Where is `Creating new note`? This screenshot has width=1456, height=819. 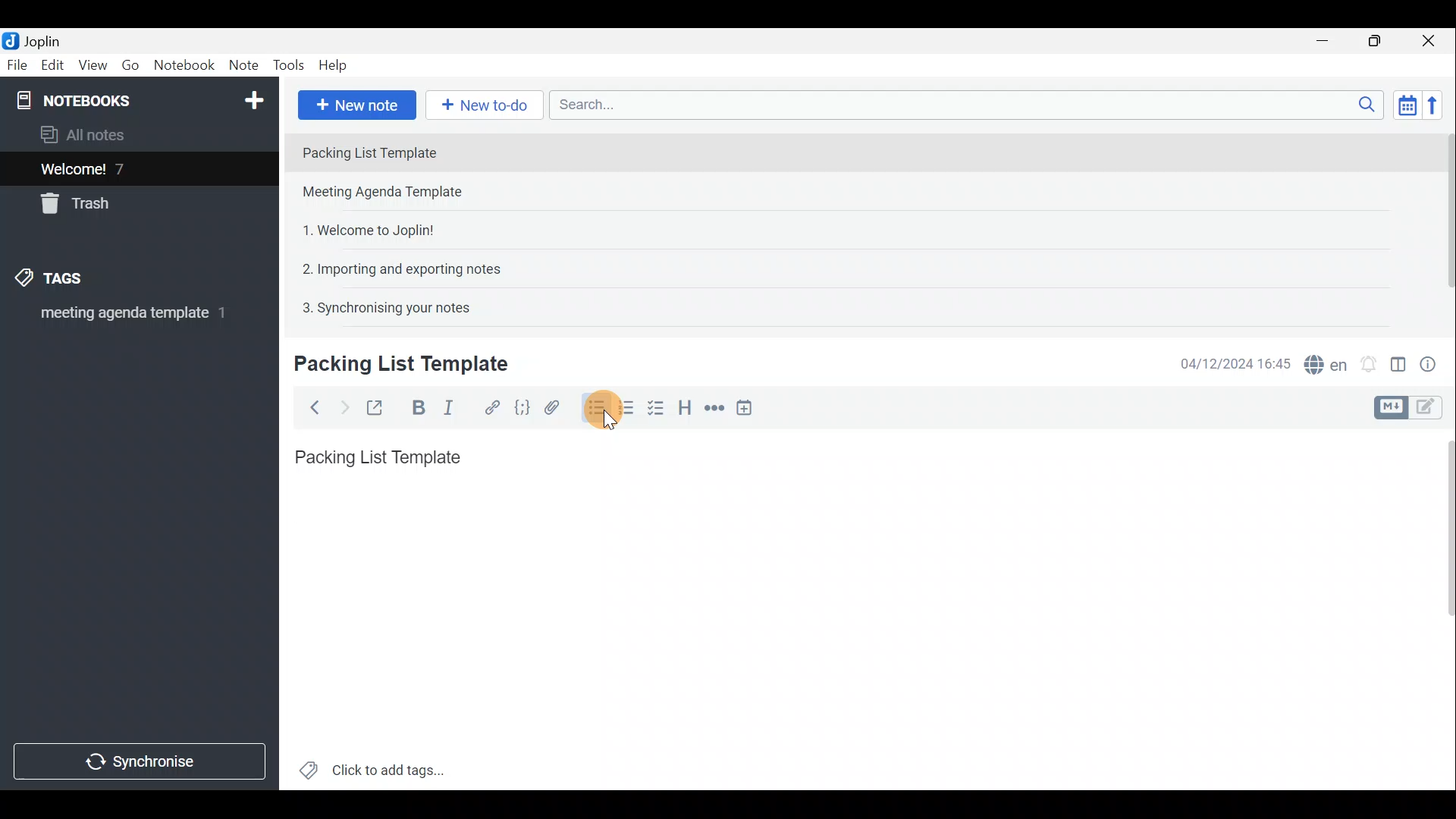 Creating new note is located at coordinates (392, 365).